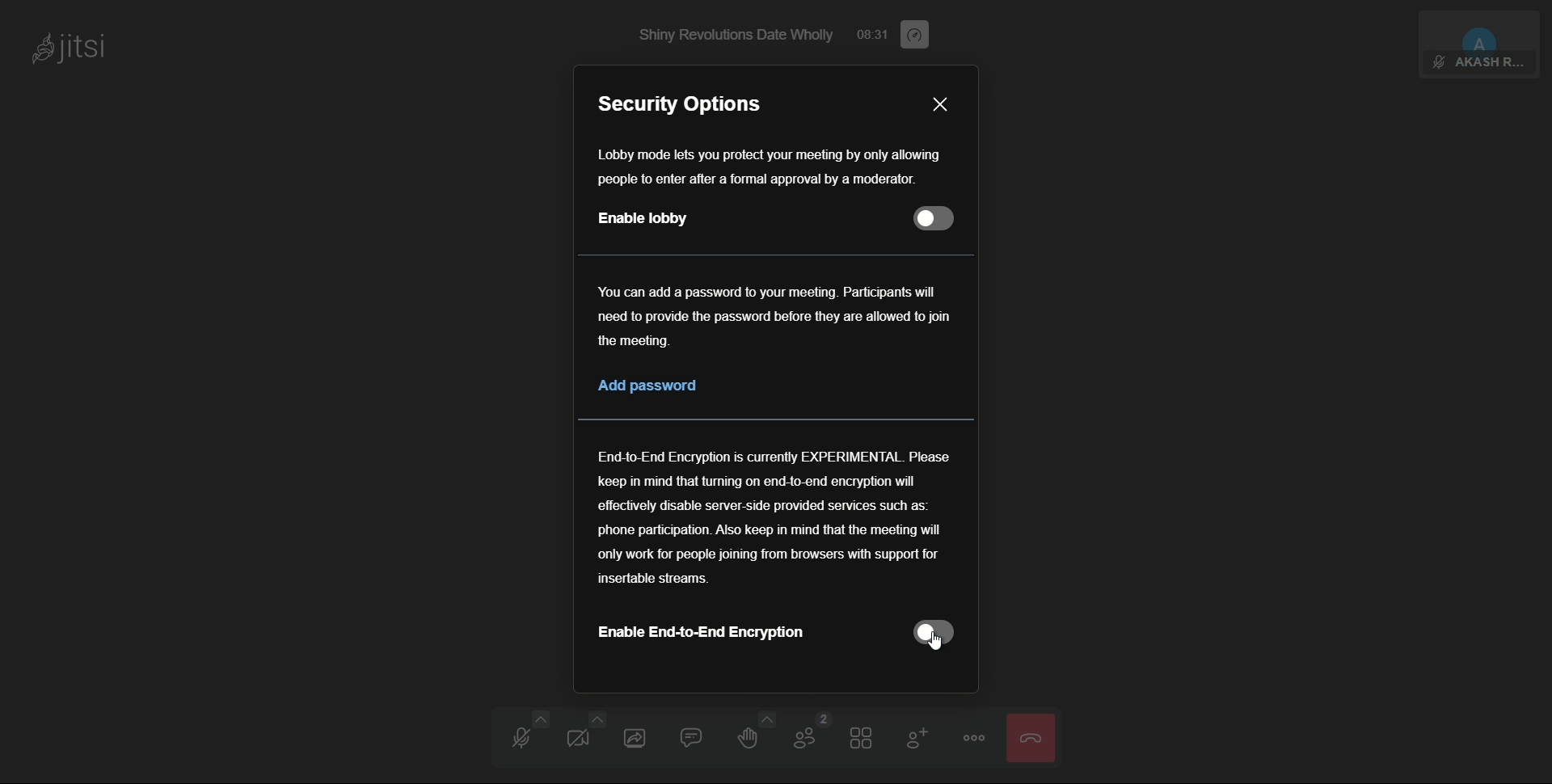 This screenshot has width=1552, height=784. What do you see at coordinates (1030, 737) in the screenshot?
I see `end call` at bounding box center [1030, 737].